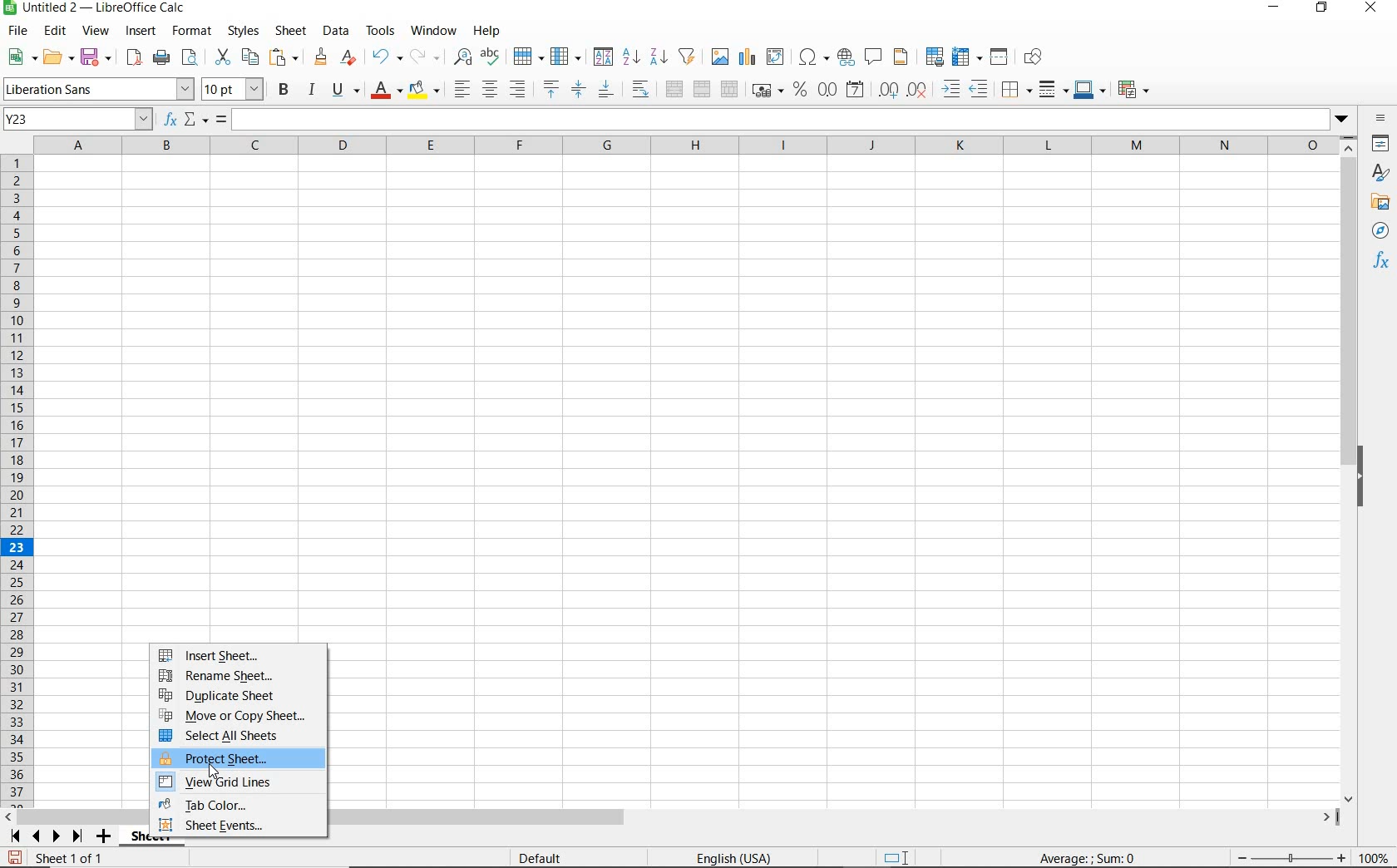 Image resolution: width=1397 pixels, height=868 pixels. What do you see at coordinates (1382, 263) in the screenshot?
I see `FUNCTIONS` at bounding box center [1382, 263].